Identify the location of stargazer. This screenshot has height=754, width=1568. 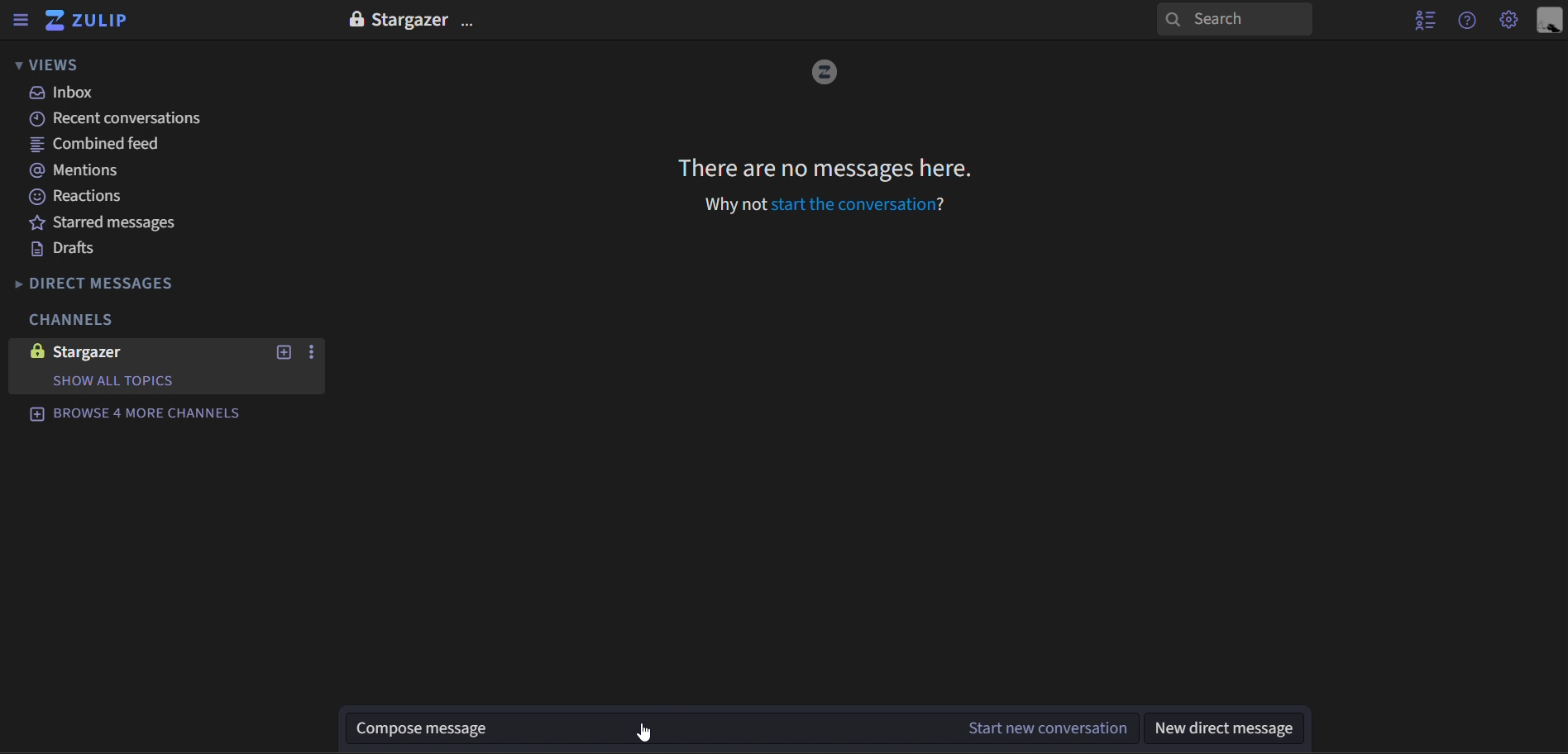
(110, 354).